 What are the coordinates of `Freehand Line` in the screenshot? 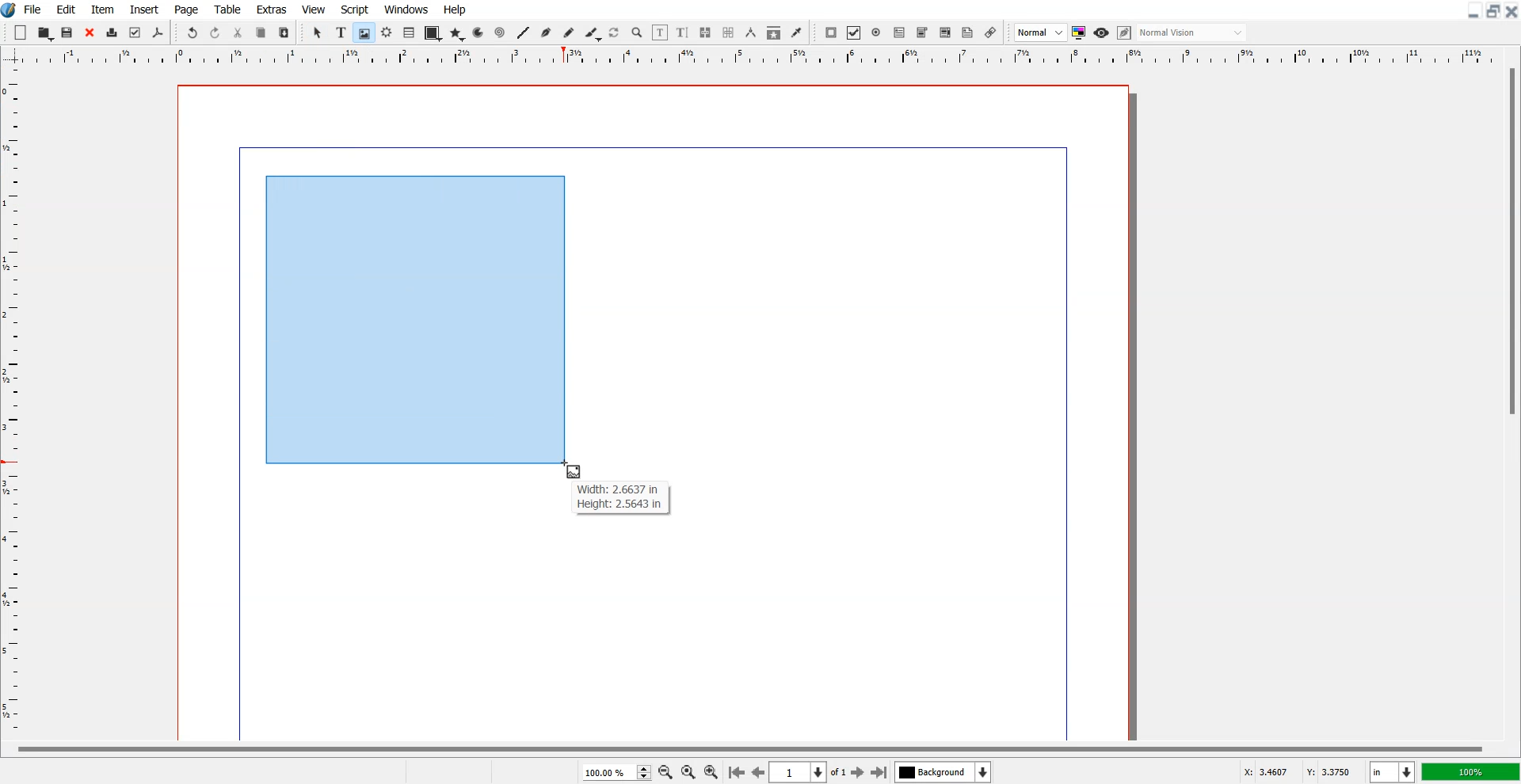 It's located at (569, 32).